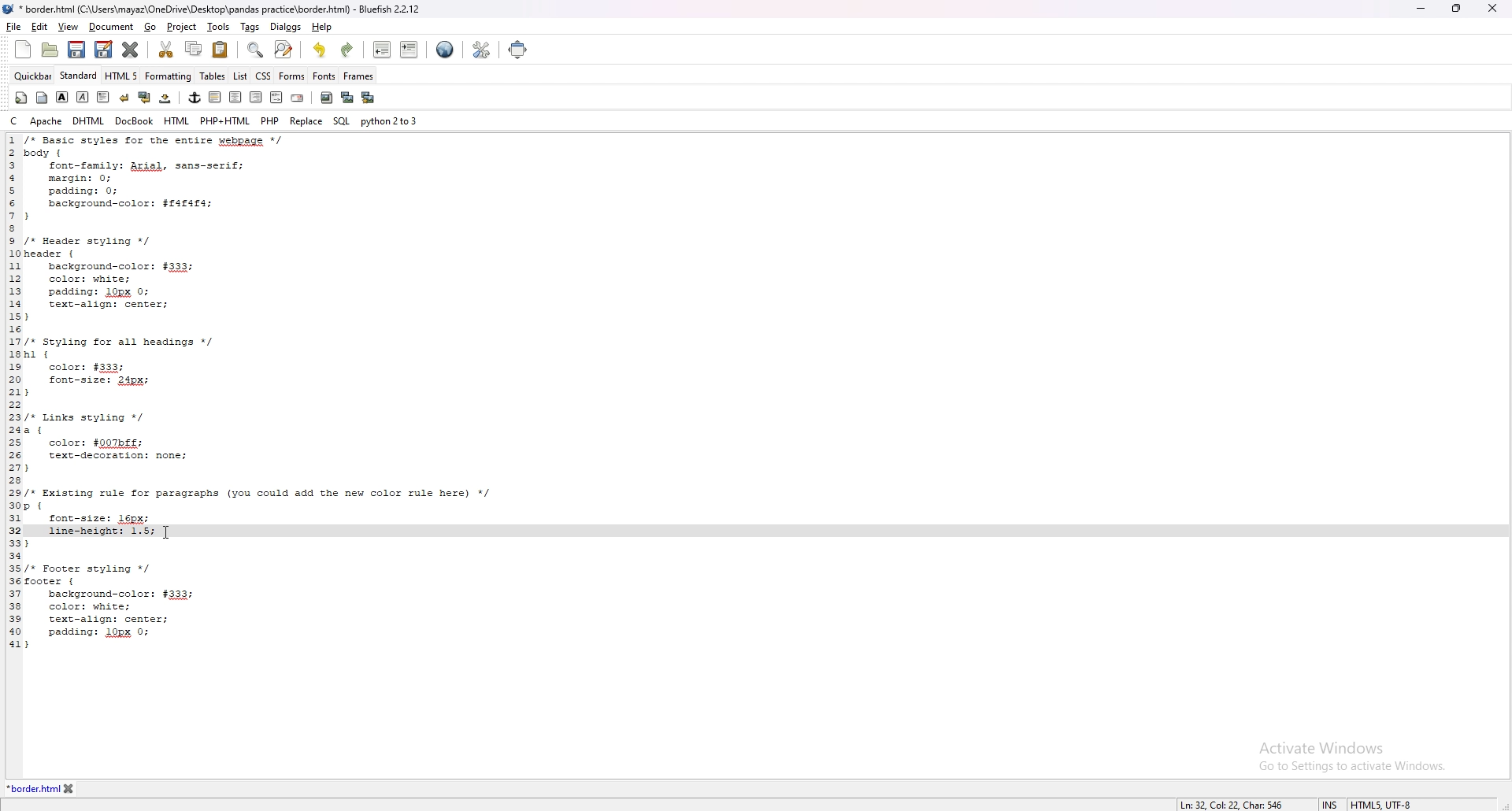  What do you see at coordinates (220, 49) in the screenshot?
I see `paste` at bounding box center [220, 49].